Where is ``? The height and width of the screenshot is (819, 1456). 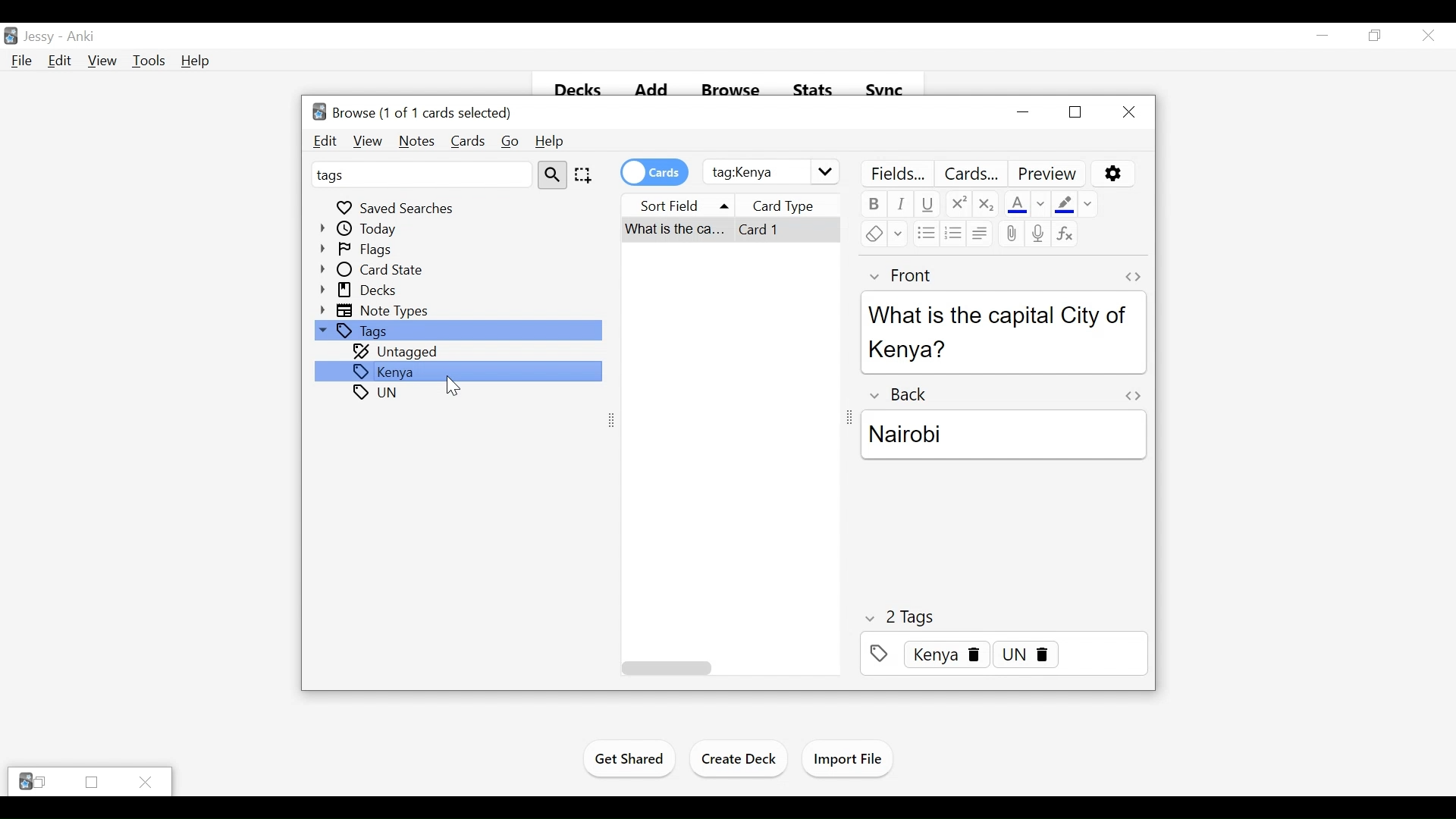
 is located at coordinates (985, 204).